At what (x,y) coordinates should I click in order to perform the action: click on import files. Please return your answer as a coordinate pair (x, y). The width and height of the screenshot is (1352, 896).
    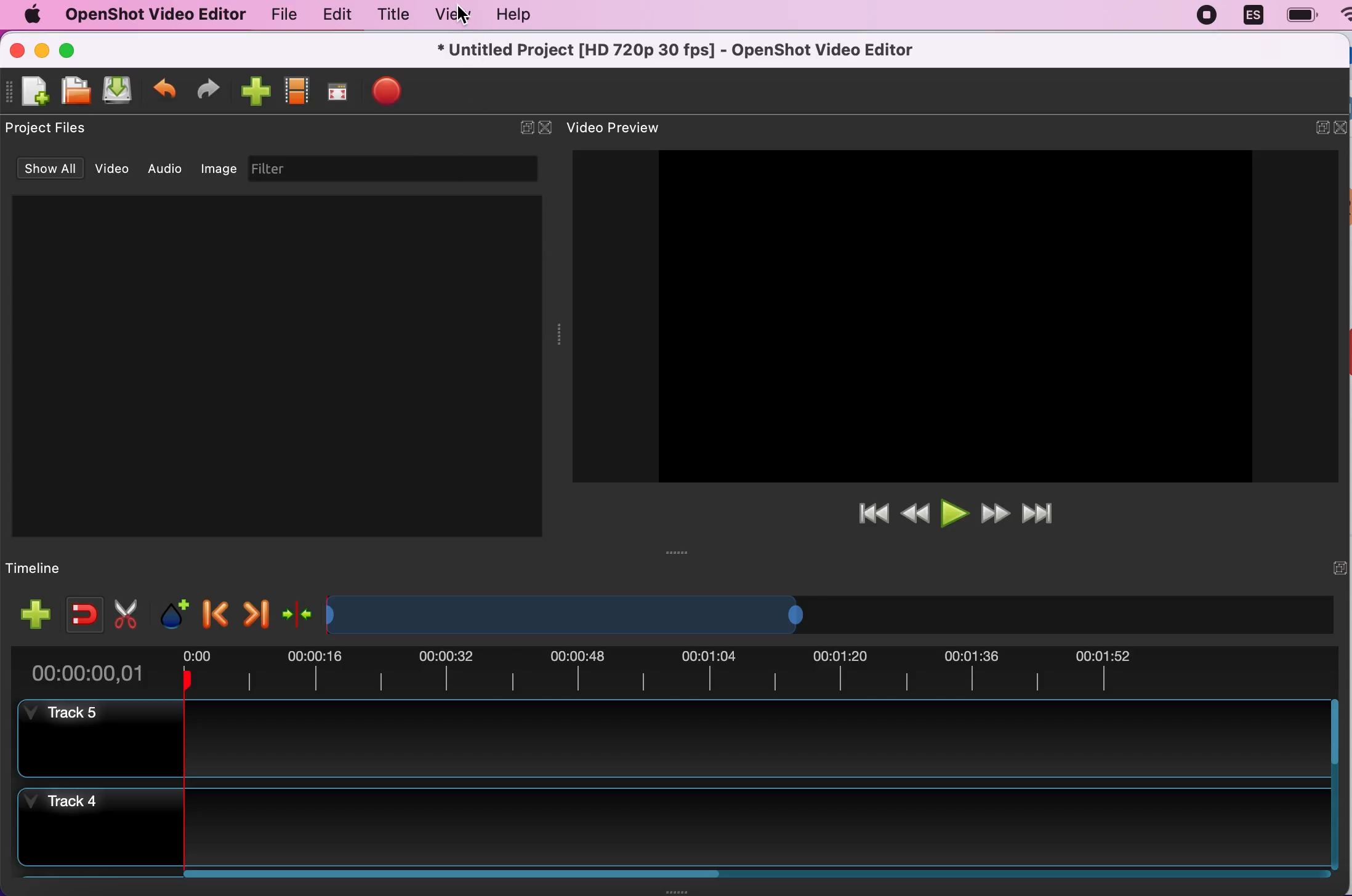
    Looking at the image, I should click on (254, 89).